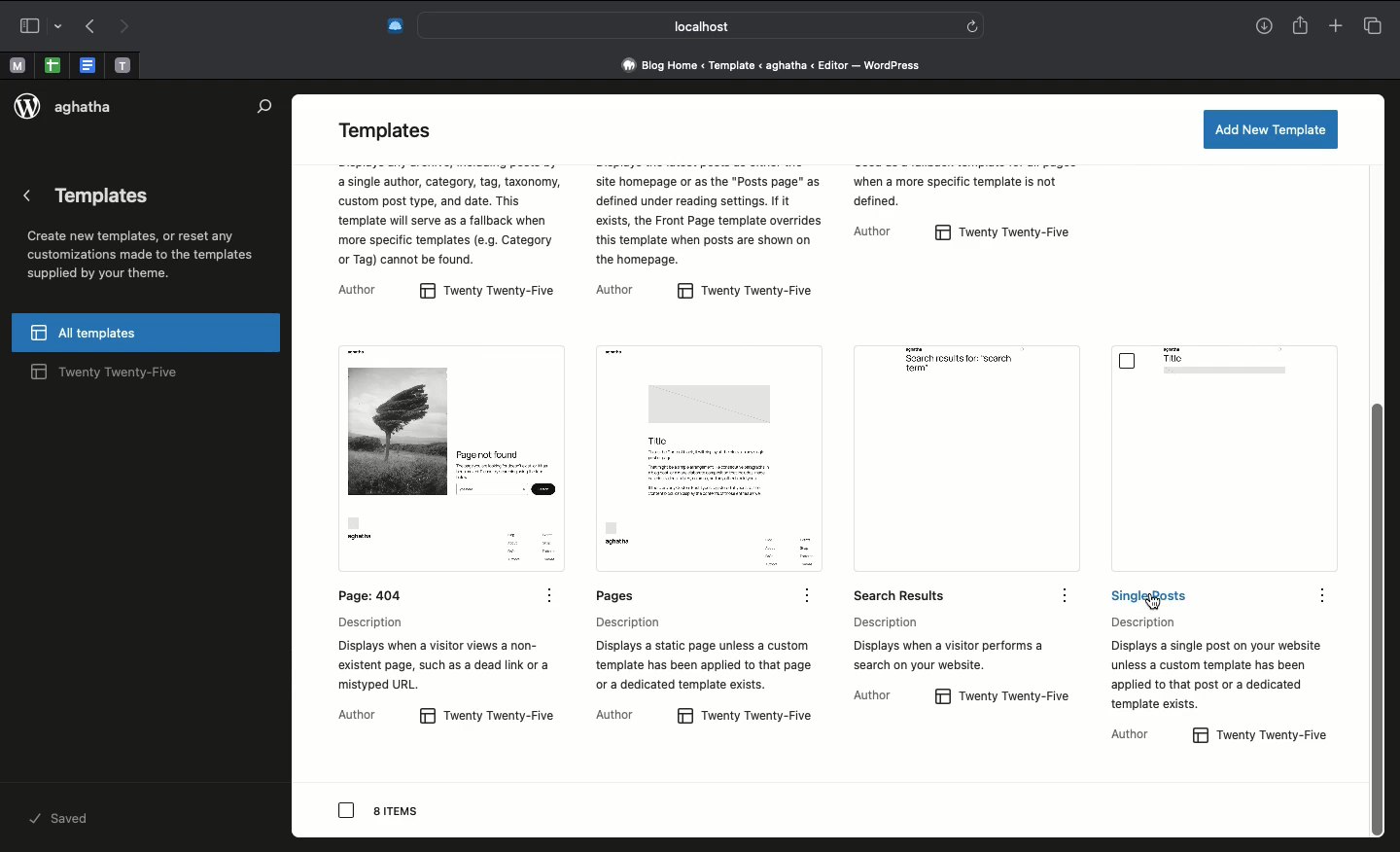 Image resolution: width=1400 pixels, height=852 pixels. Describe the element at coordinates (708, 654) in the screenshot. I see `Description` at that location.